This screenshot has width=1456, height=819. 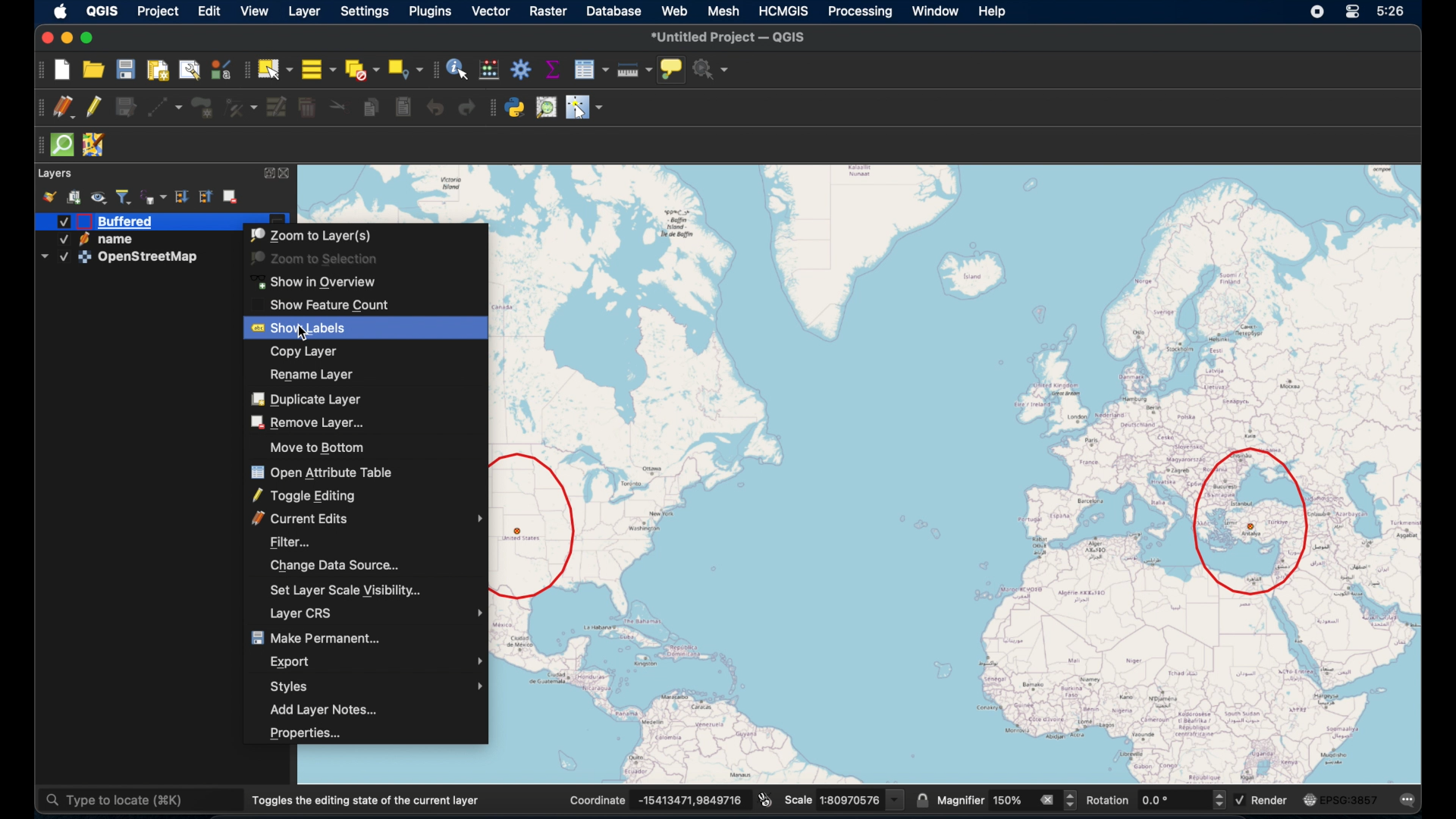 What do you see at coordinates (125, 69) in the screenshot?
I see `save project` at bounding box center [125, 69].